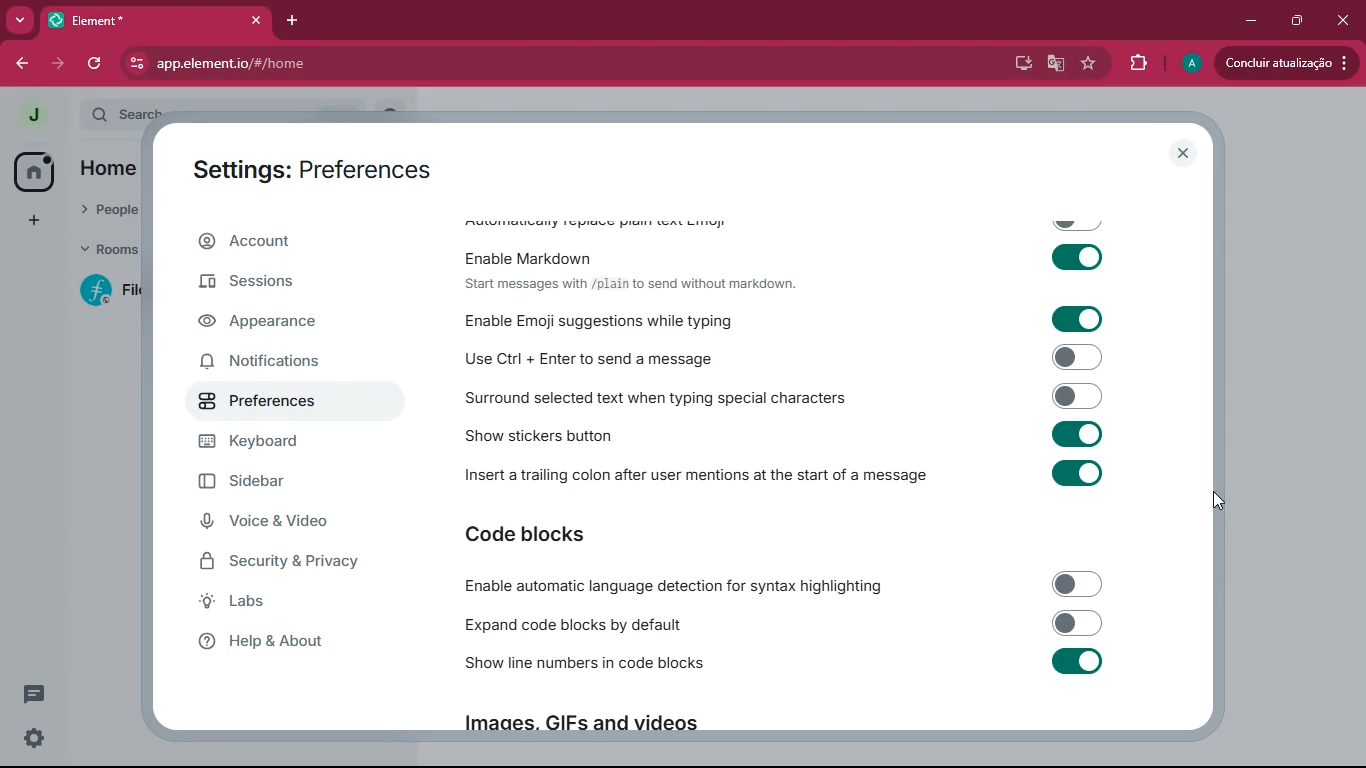 The height and width of the screenshot is (768, 1366). What do you see at coordinates (241, 109) in the screenshot?
I see `search ctrl k` at bounding box center [241, 109].